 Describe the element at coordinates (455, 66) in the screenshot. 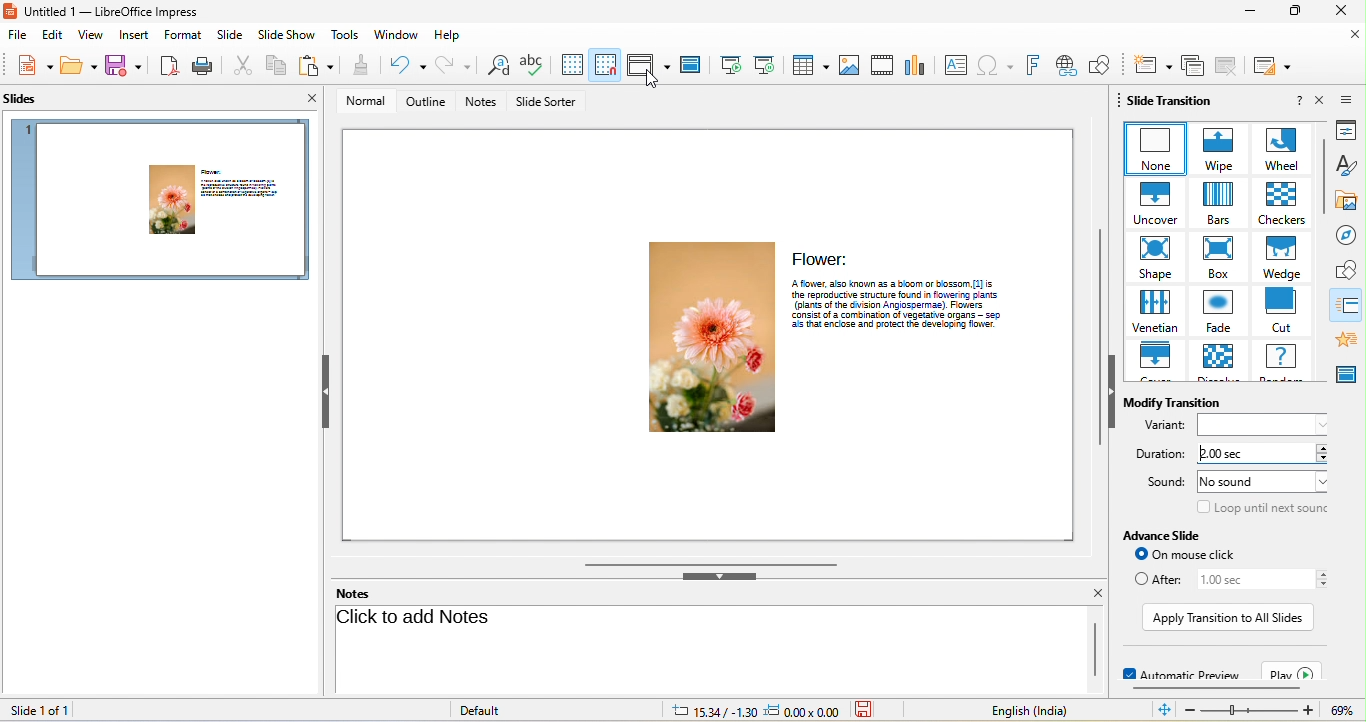

I see `redo` at that location.